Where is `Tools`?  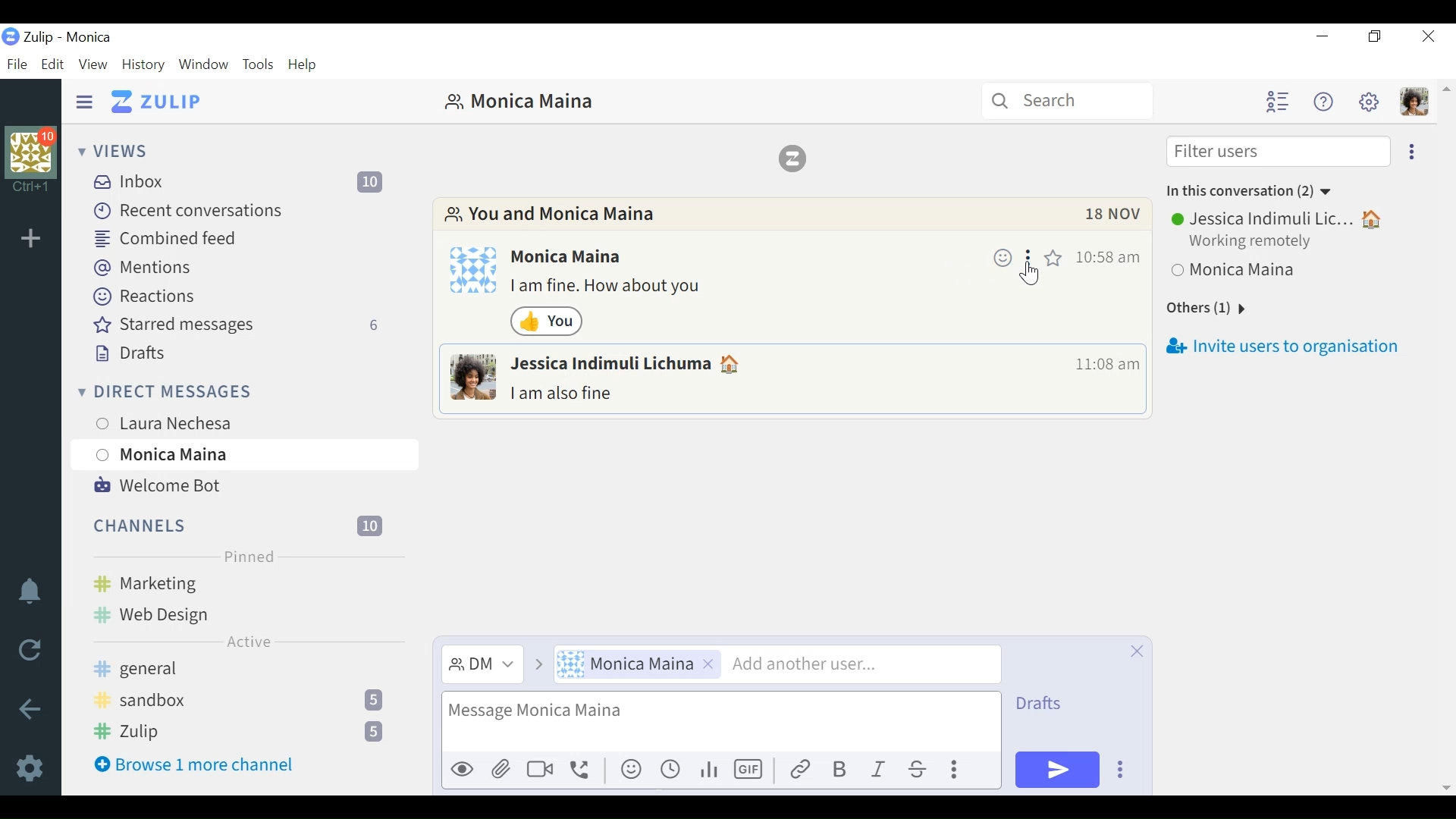 Tools is located at coordinates (260, 65).